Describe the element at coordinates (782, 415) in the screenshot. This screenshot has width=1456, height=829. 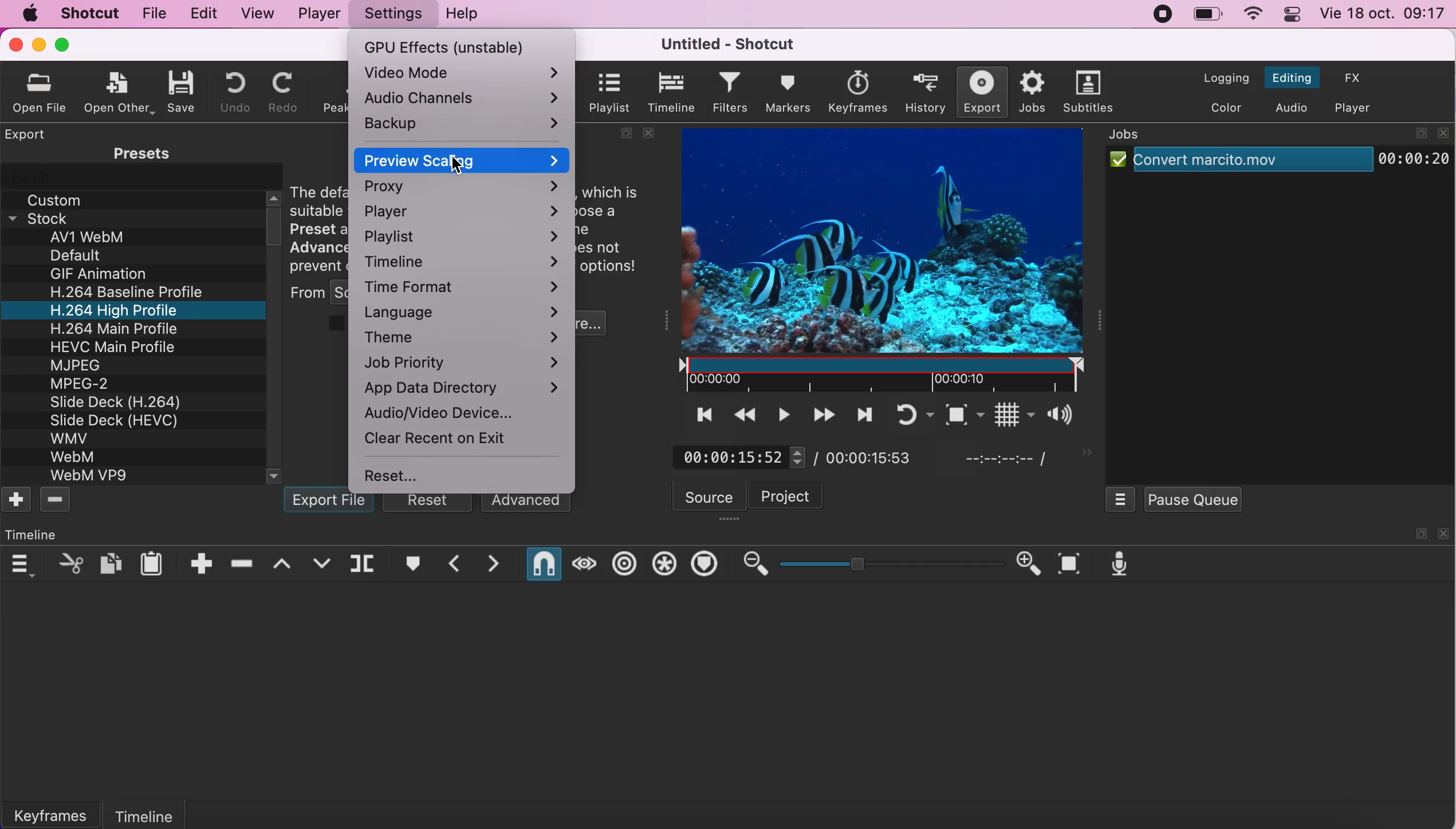
I see `toggle play or pause` at that location.